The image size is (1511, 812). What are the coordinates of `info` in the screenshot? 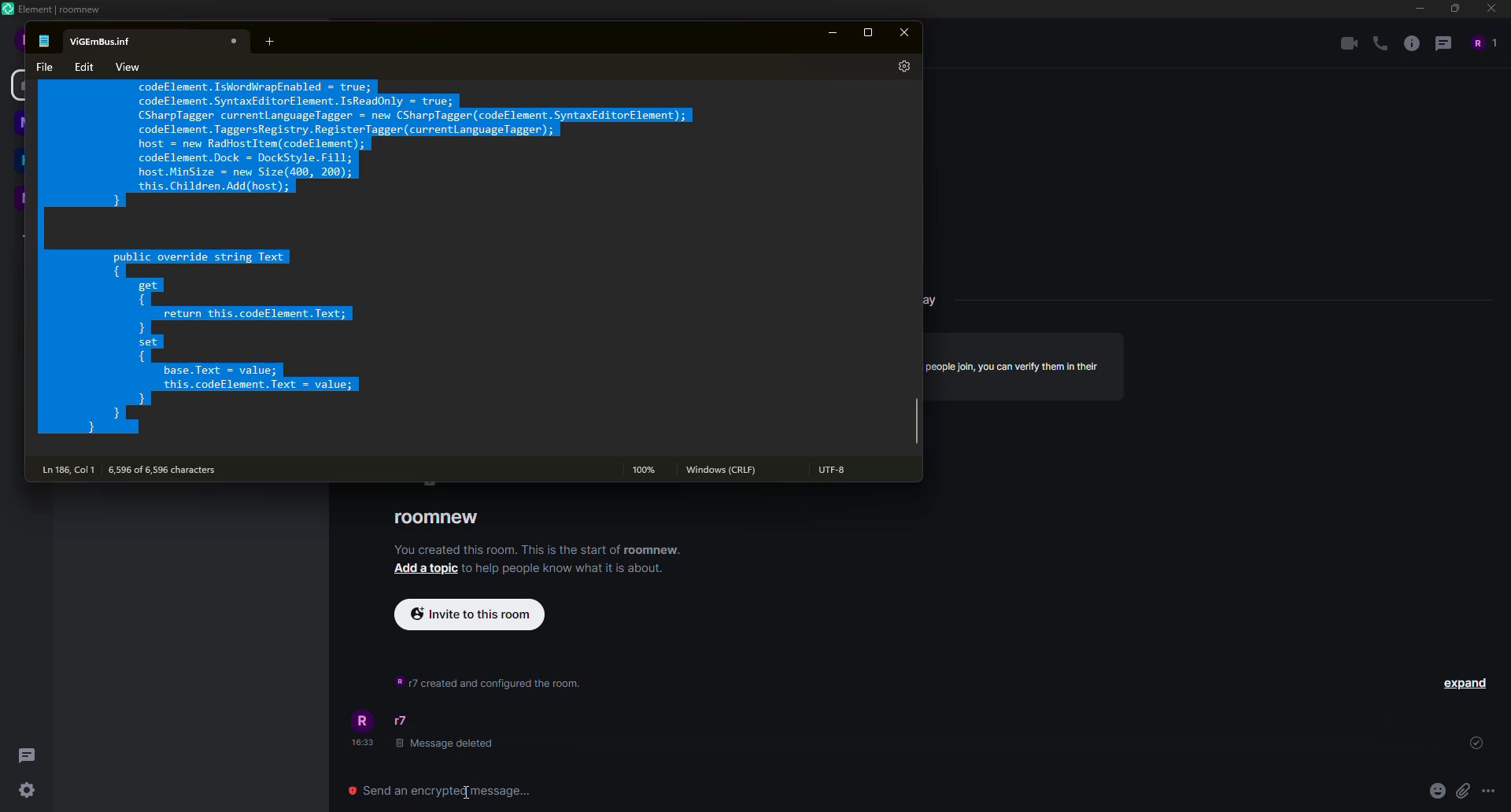 It's located at (485, 681).